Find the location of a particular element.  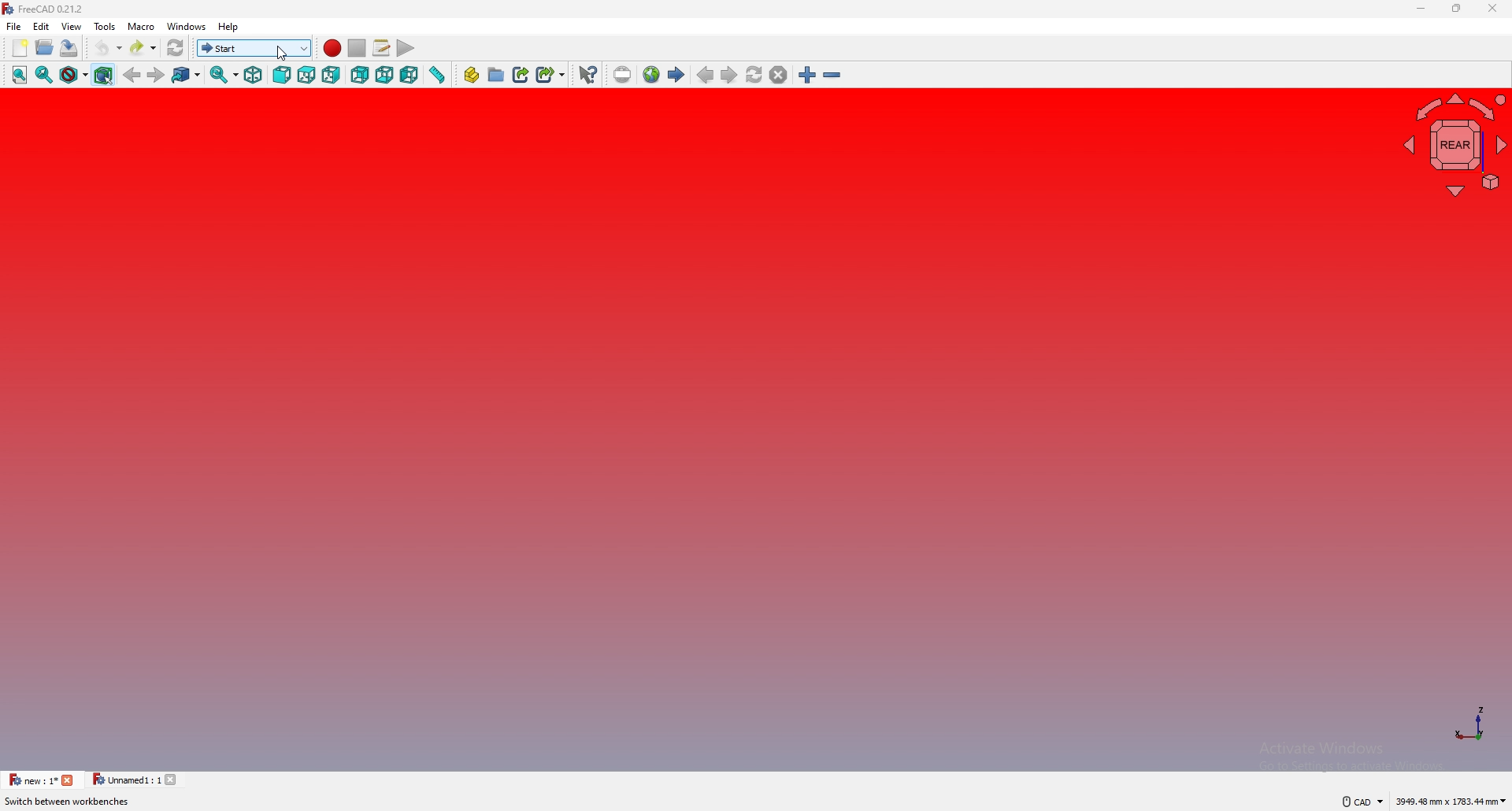

create group is located at coordinates (497, 73).